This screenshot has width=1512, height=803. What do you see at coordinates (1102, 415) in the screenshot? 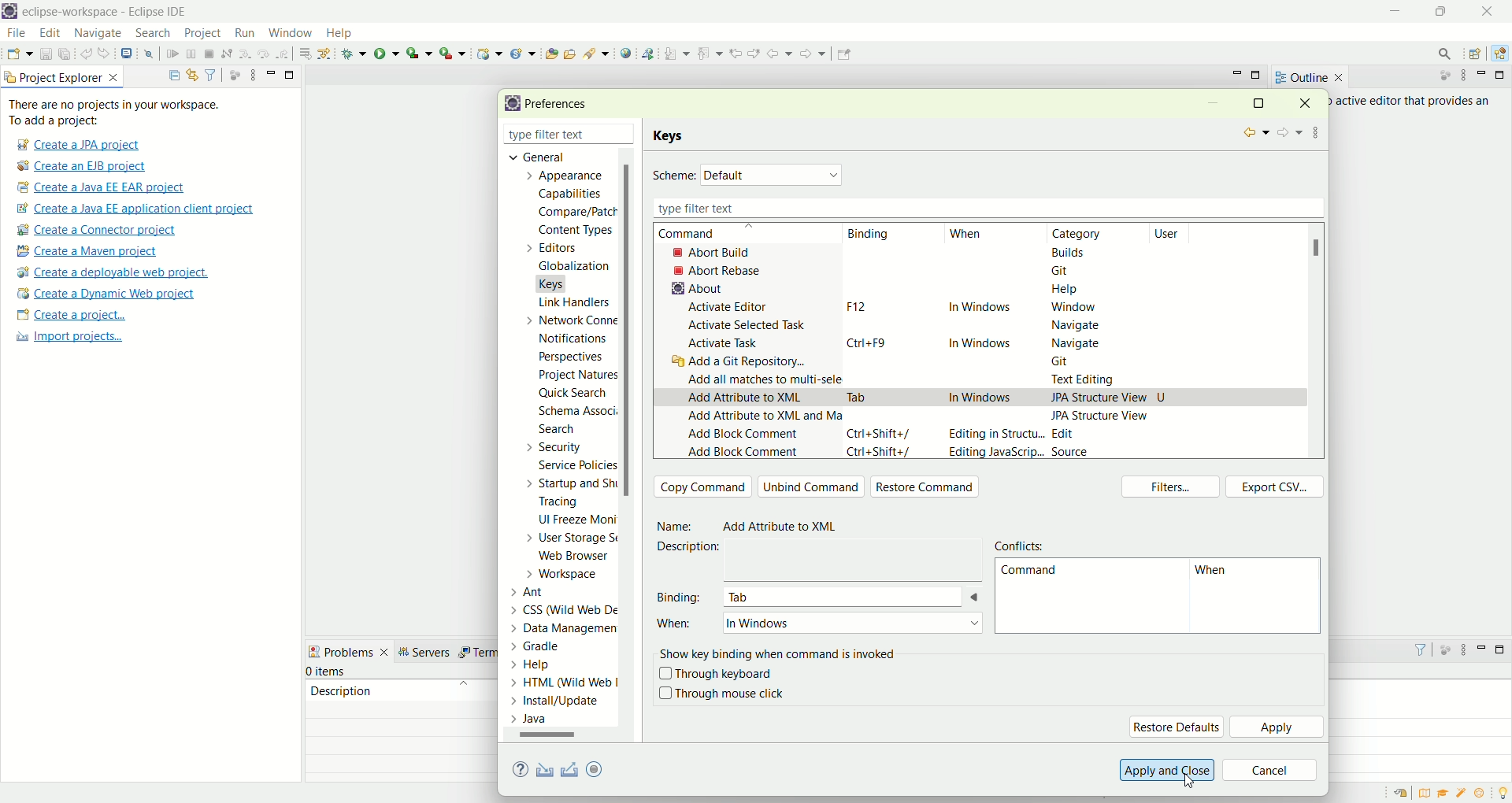
I see `JPA structure view` at bounding box center [1102, 415].